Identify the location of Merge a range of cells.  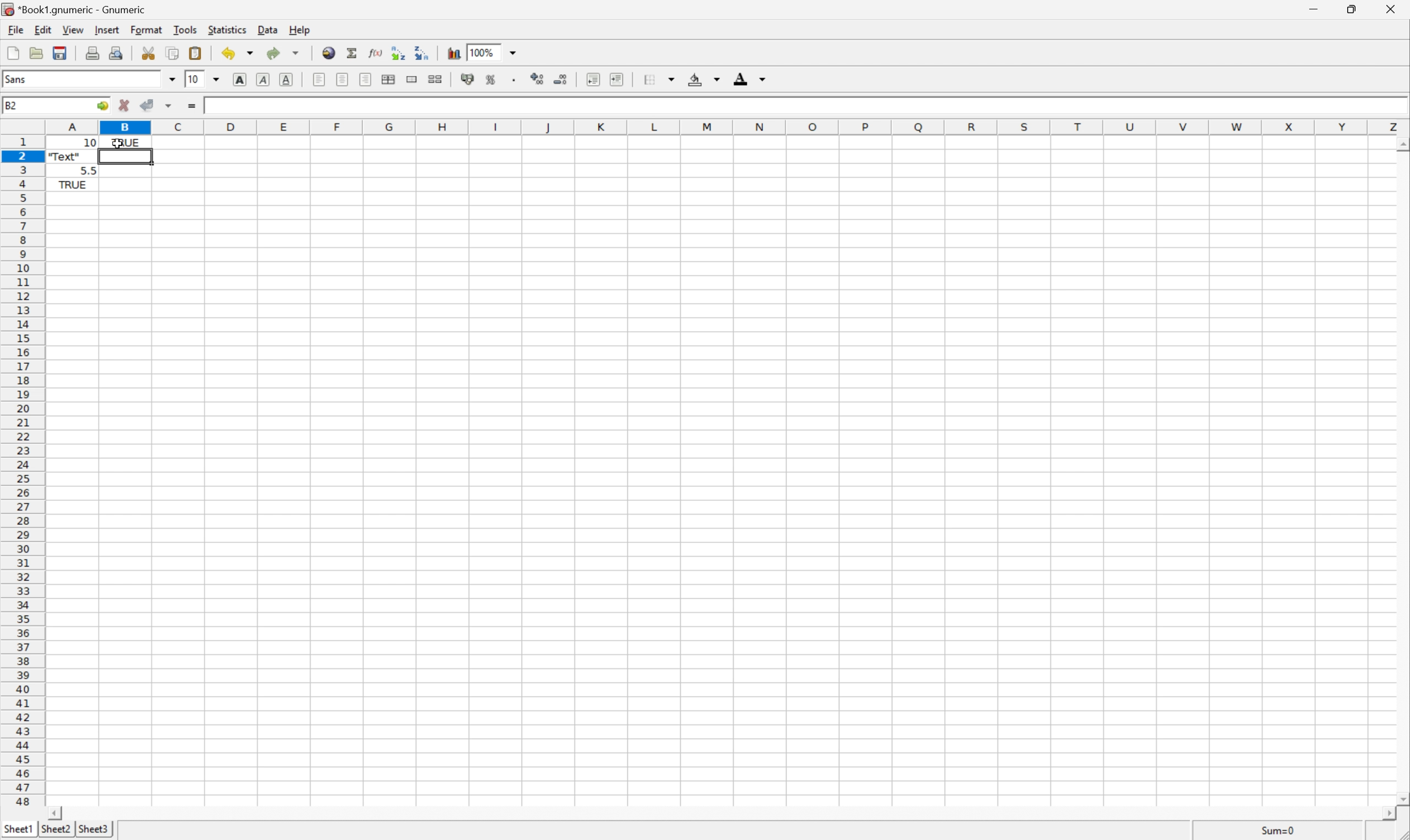
(413, 79).